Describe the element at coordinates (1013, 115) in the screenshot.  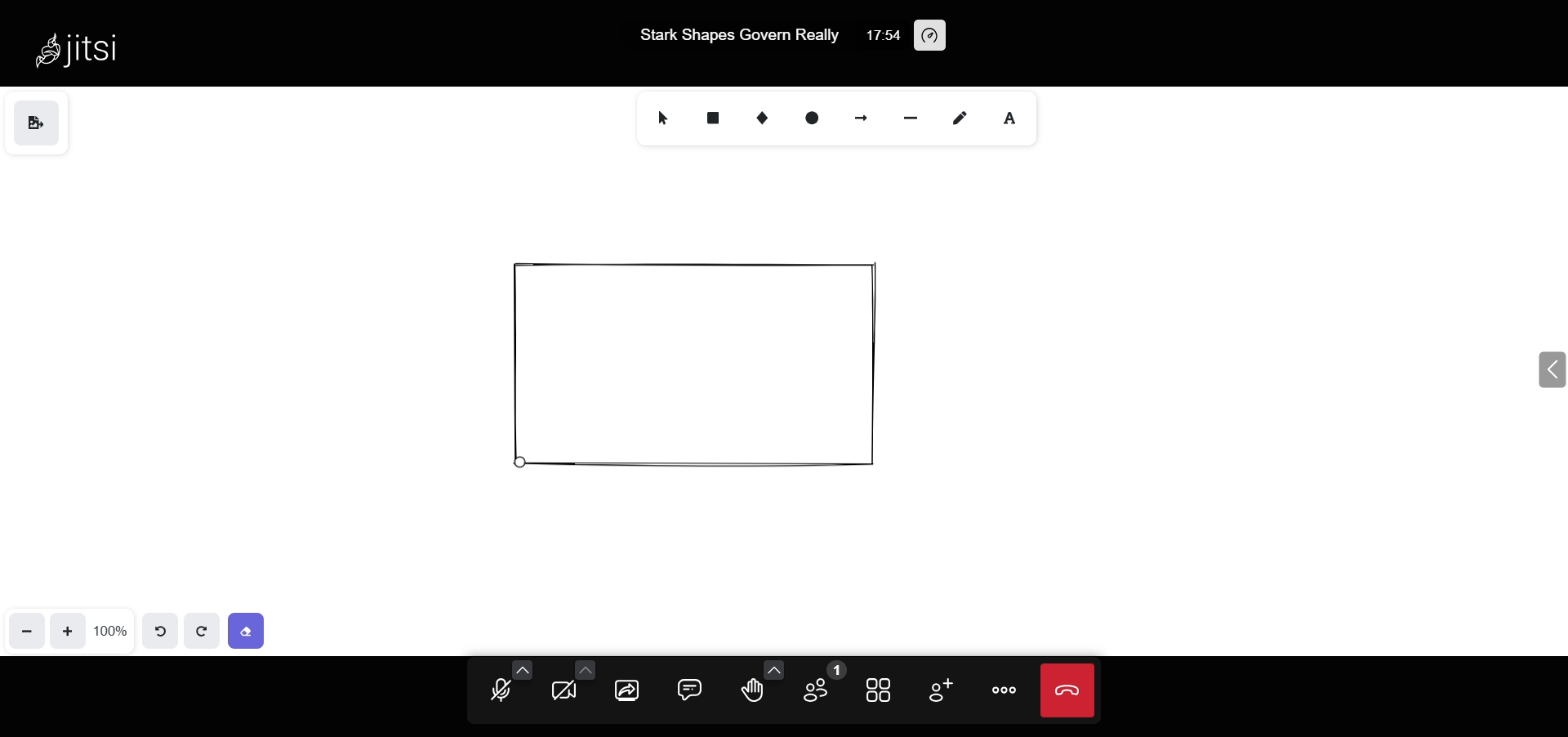
I see `text` at that location.